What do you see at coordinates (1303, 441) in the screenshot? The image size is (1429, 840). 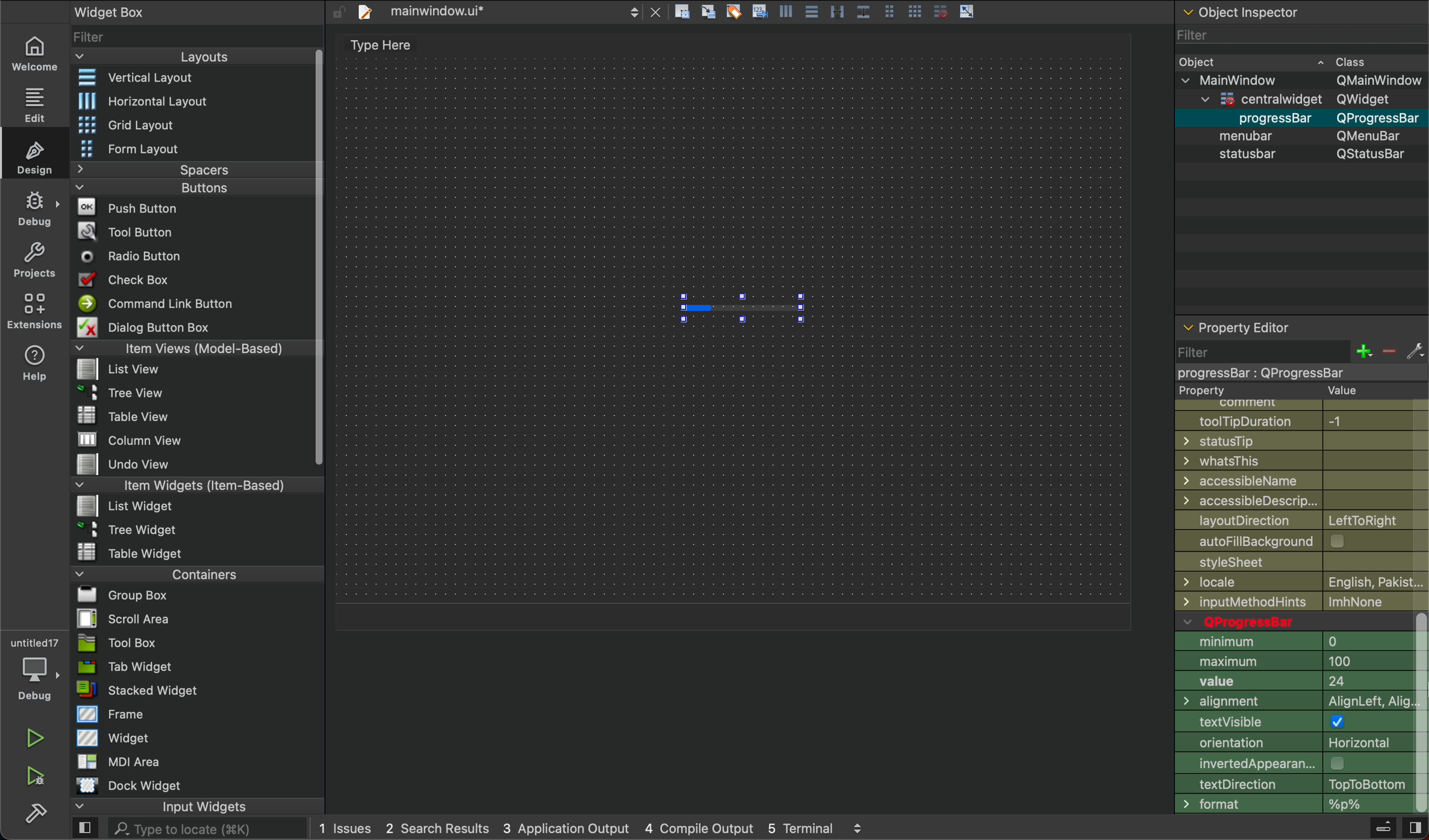 I see `statustip` at bounding box center [1303, 441].